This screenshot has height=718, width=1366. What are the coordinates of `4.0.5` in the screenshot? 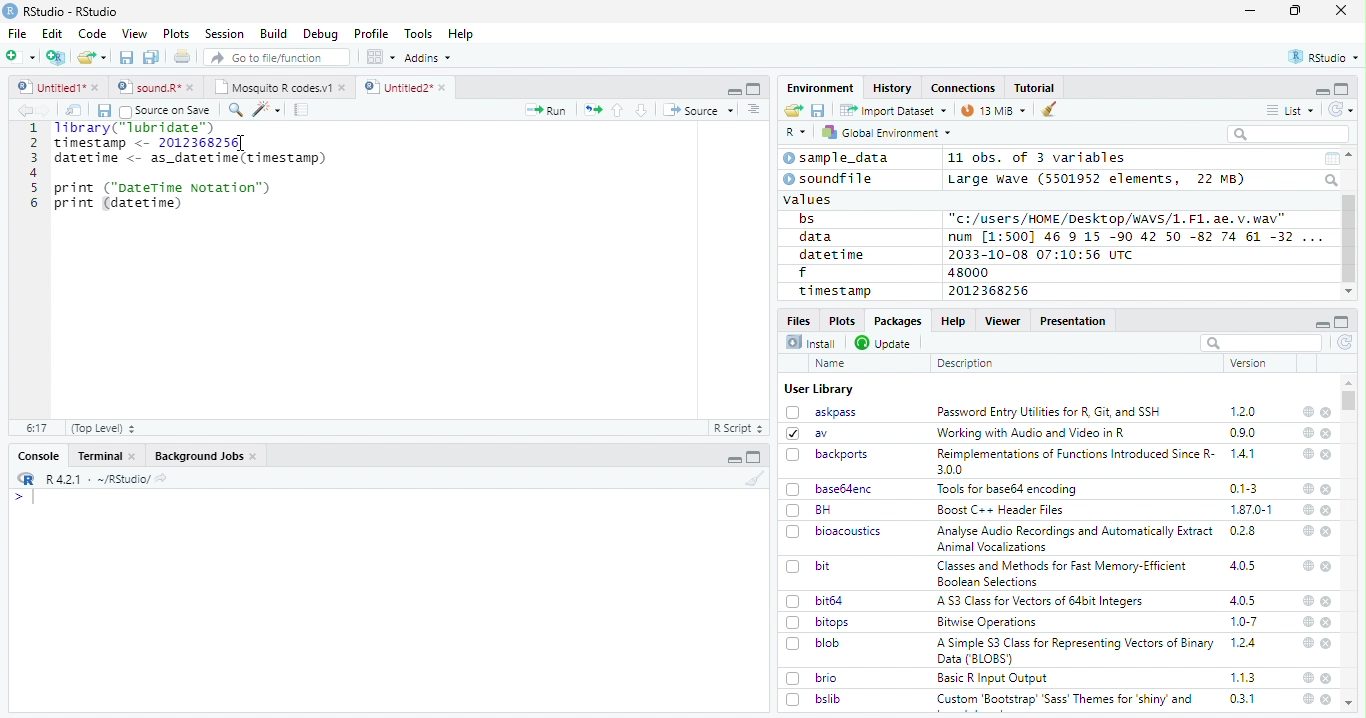 It's located at (1243, 600).